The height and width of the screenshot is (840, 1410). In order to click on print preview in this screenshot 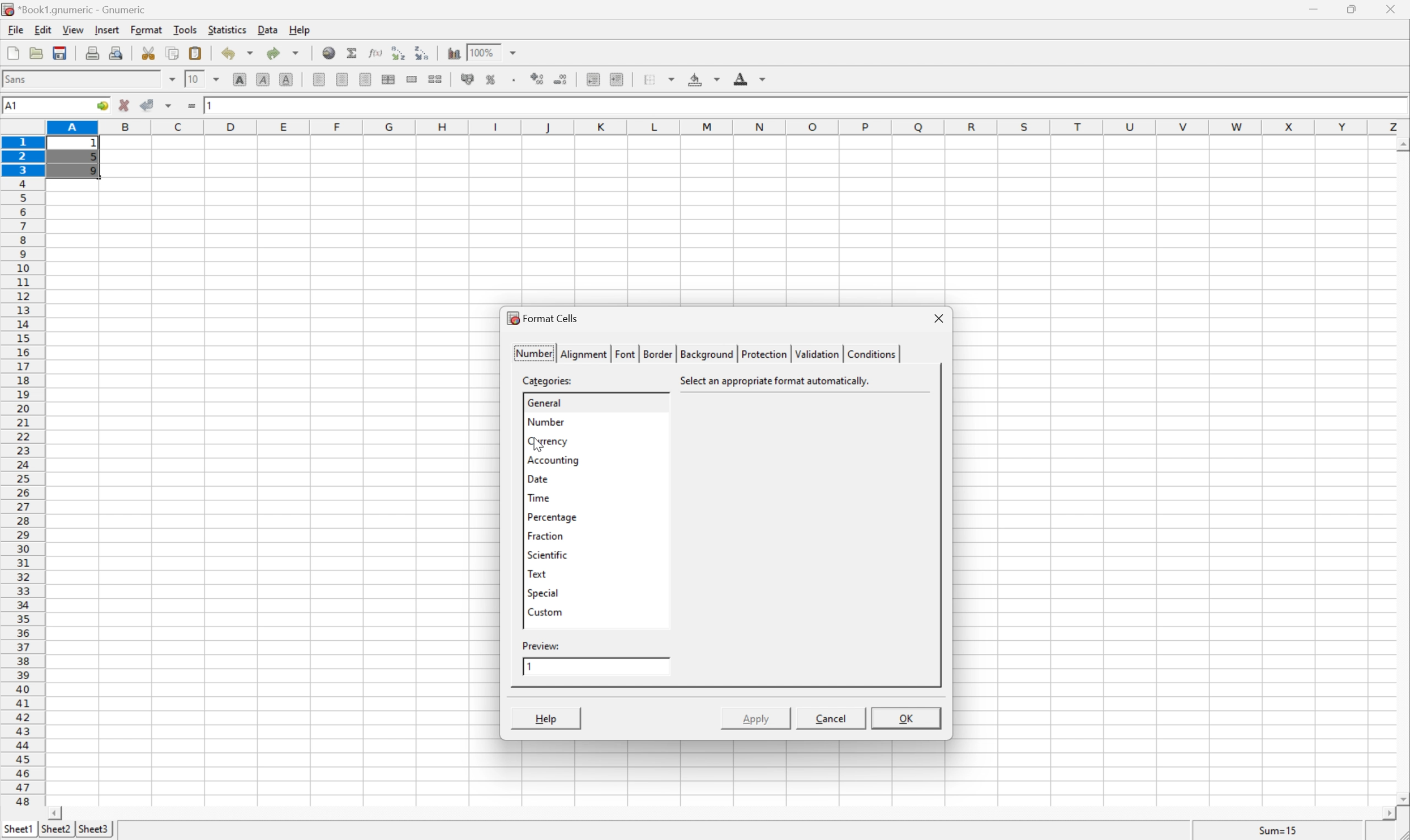, I will do `click(116, 52)`.